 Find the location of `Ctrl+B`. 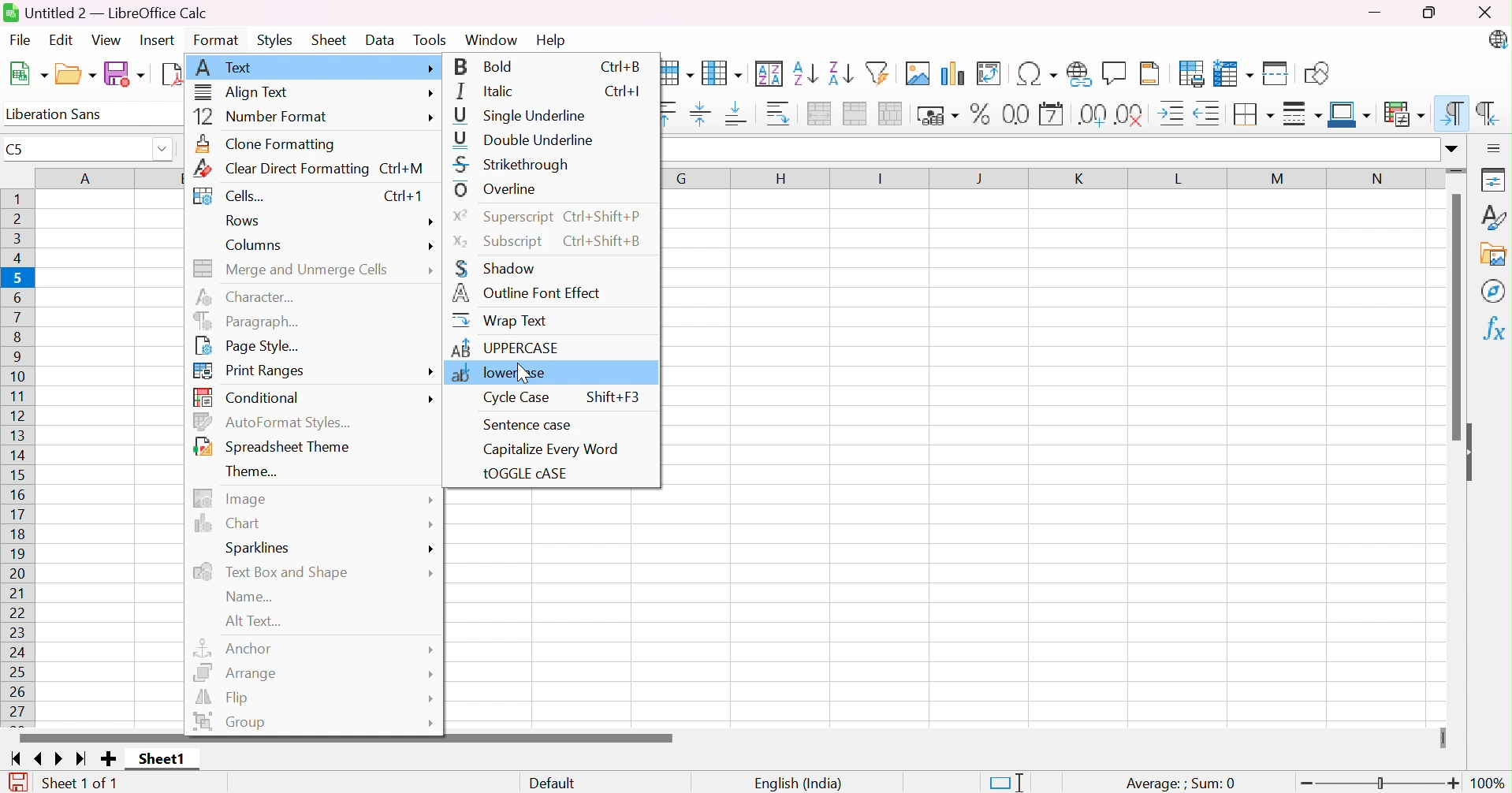

Ctrl+B is located at coordinates (622, 65).